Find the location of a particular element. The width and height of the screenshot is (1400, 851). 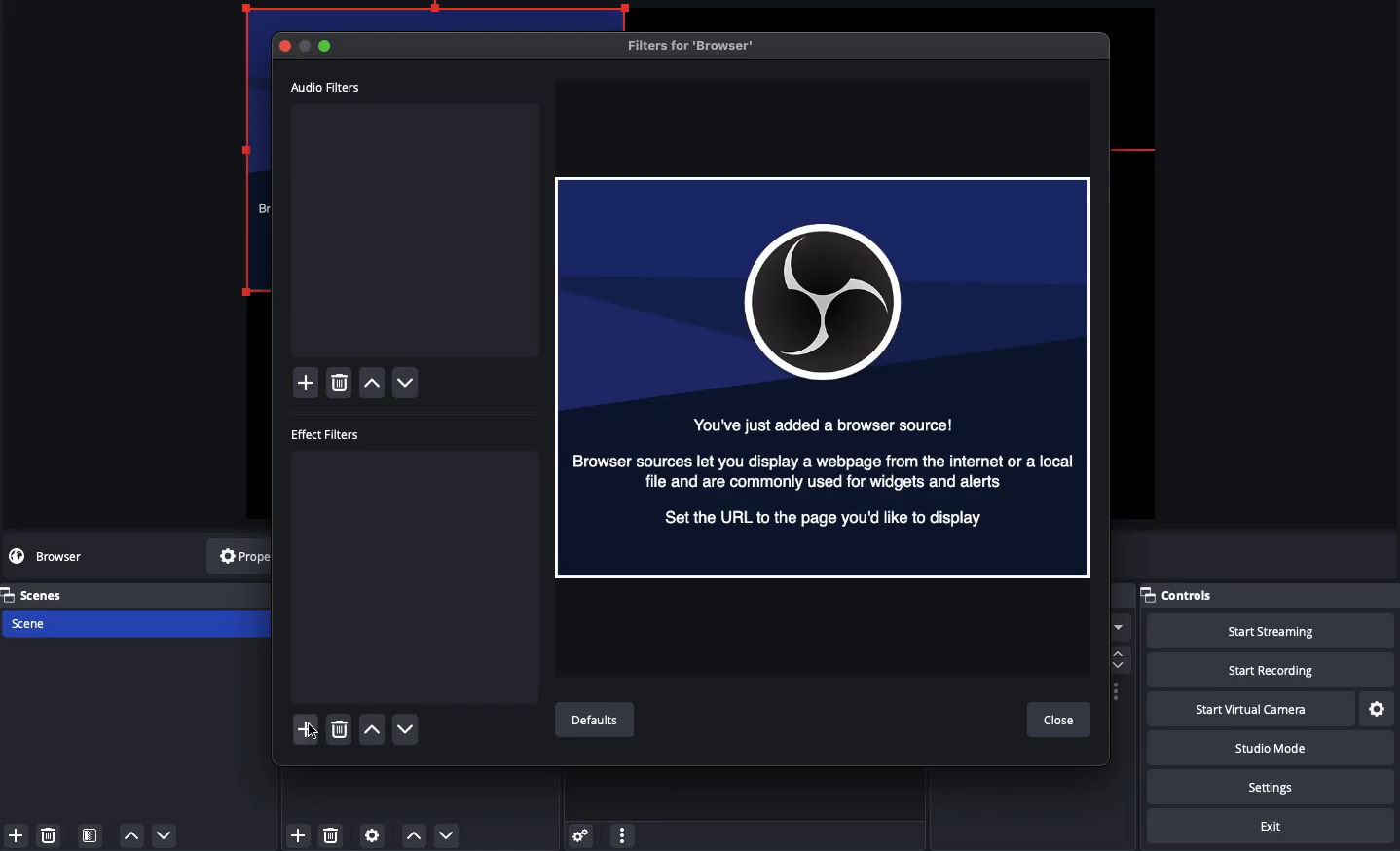

button is located at coordinates (305, 45).